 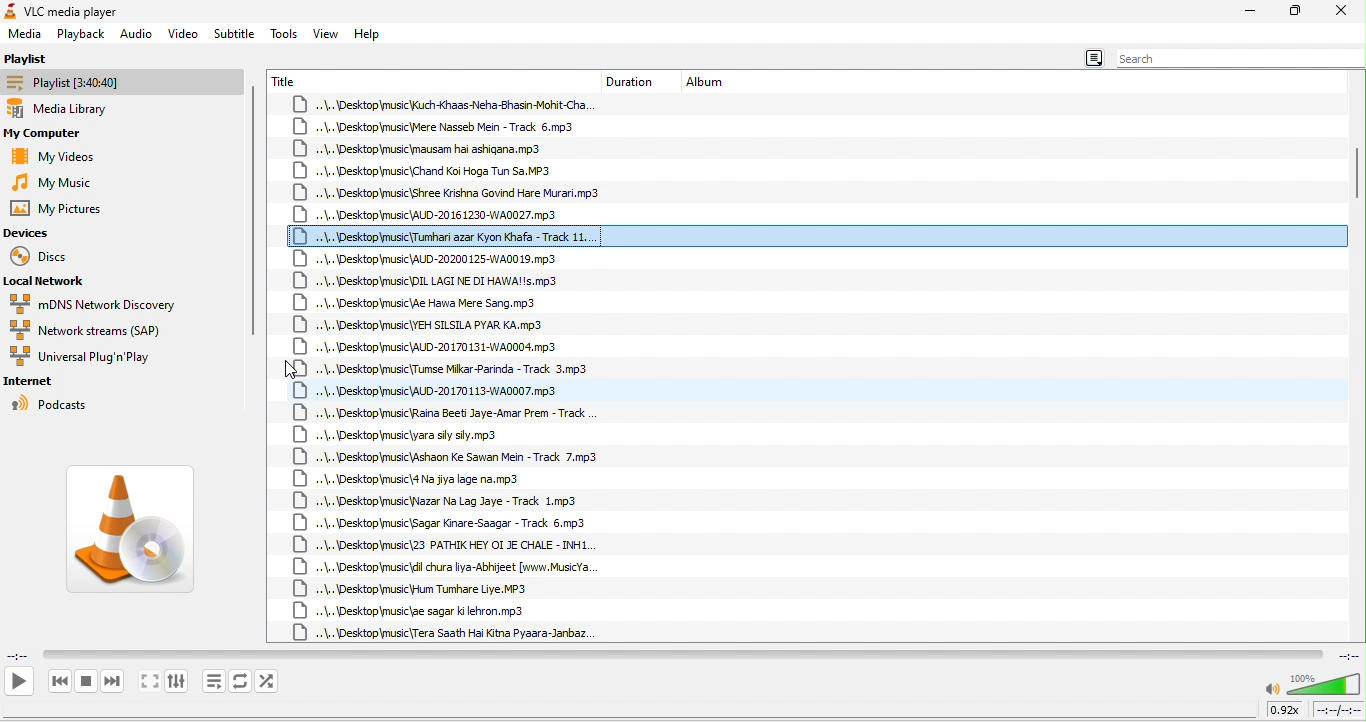 What do you see at coordinates (105, 331) in the screenshot?
I see `network streams (SAP)` at bounding box center [105, 331].